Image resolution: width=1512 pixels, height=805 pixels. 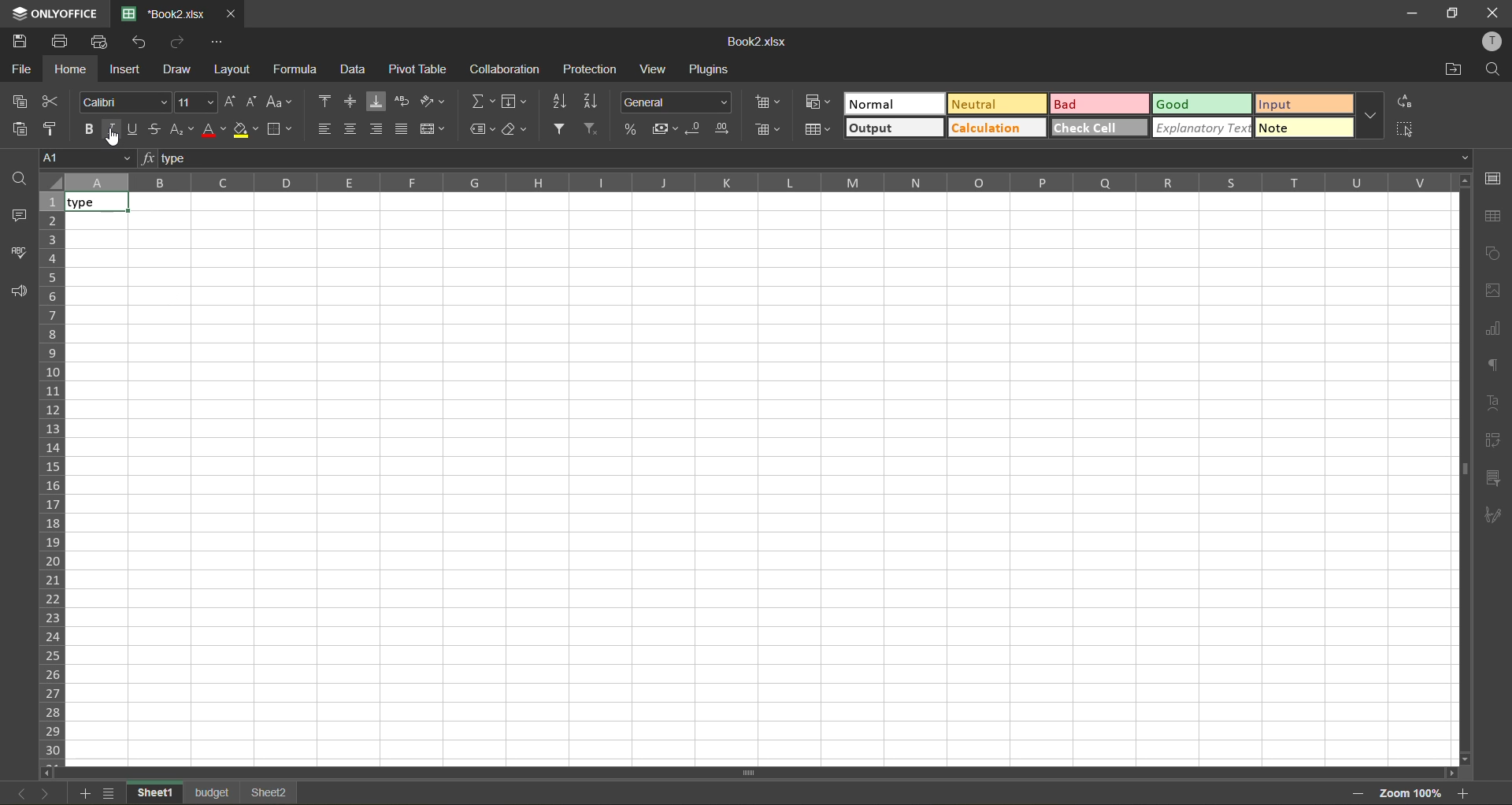 I want to click on quick print, so click(x=102, y=42).